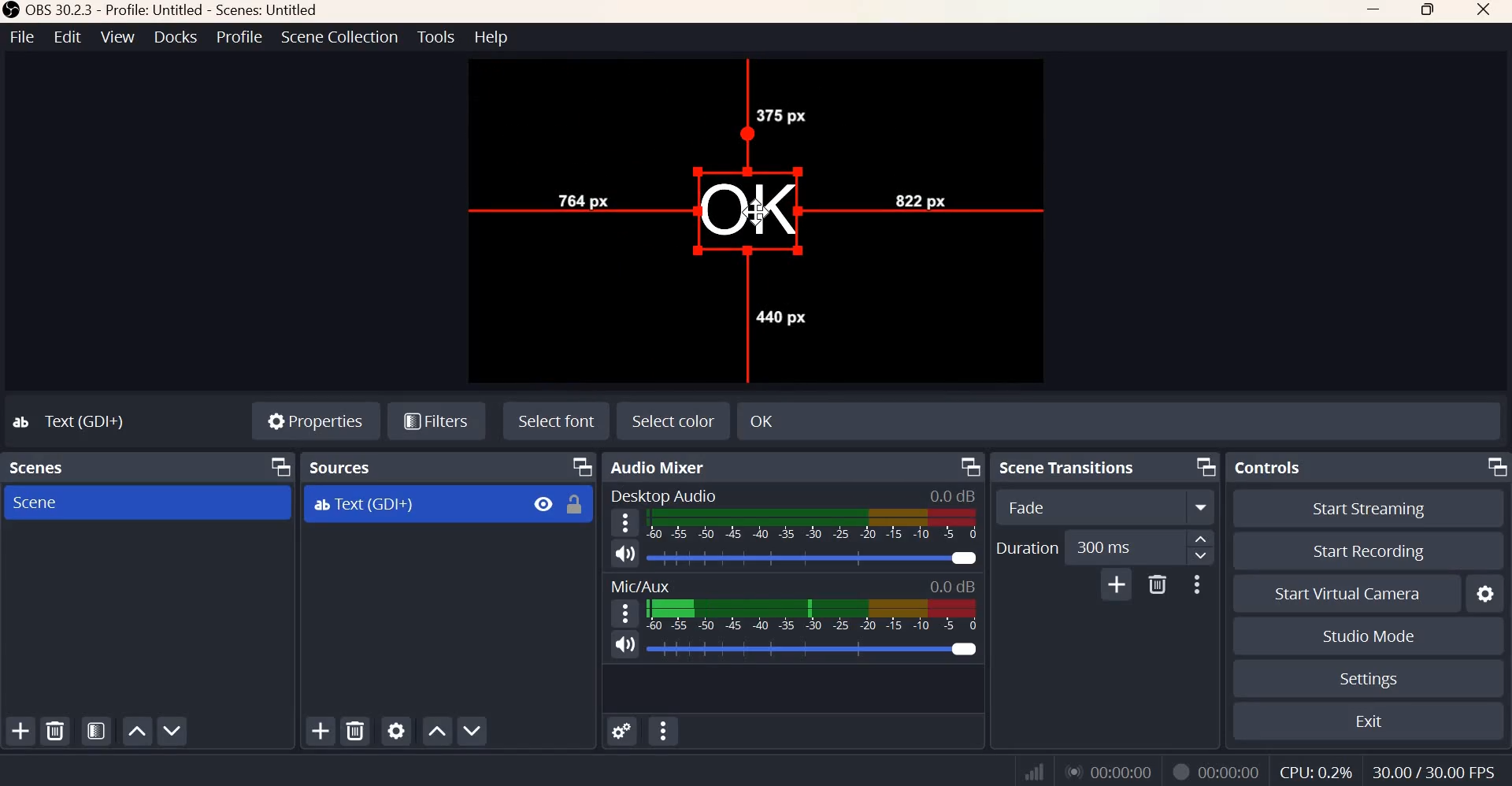 This screenshot has width=1512, height=786. Describe the element at coordinates (176, 37) in the screenshot. I see `Docks` at that location.